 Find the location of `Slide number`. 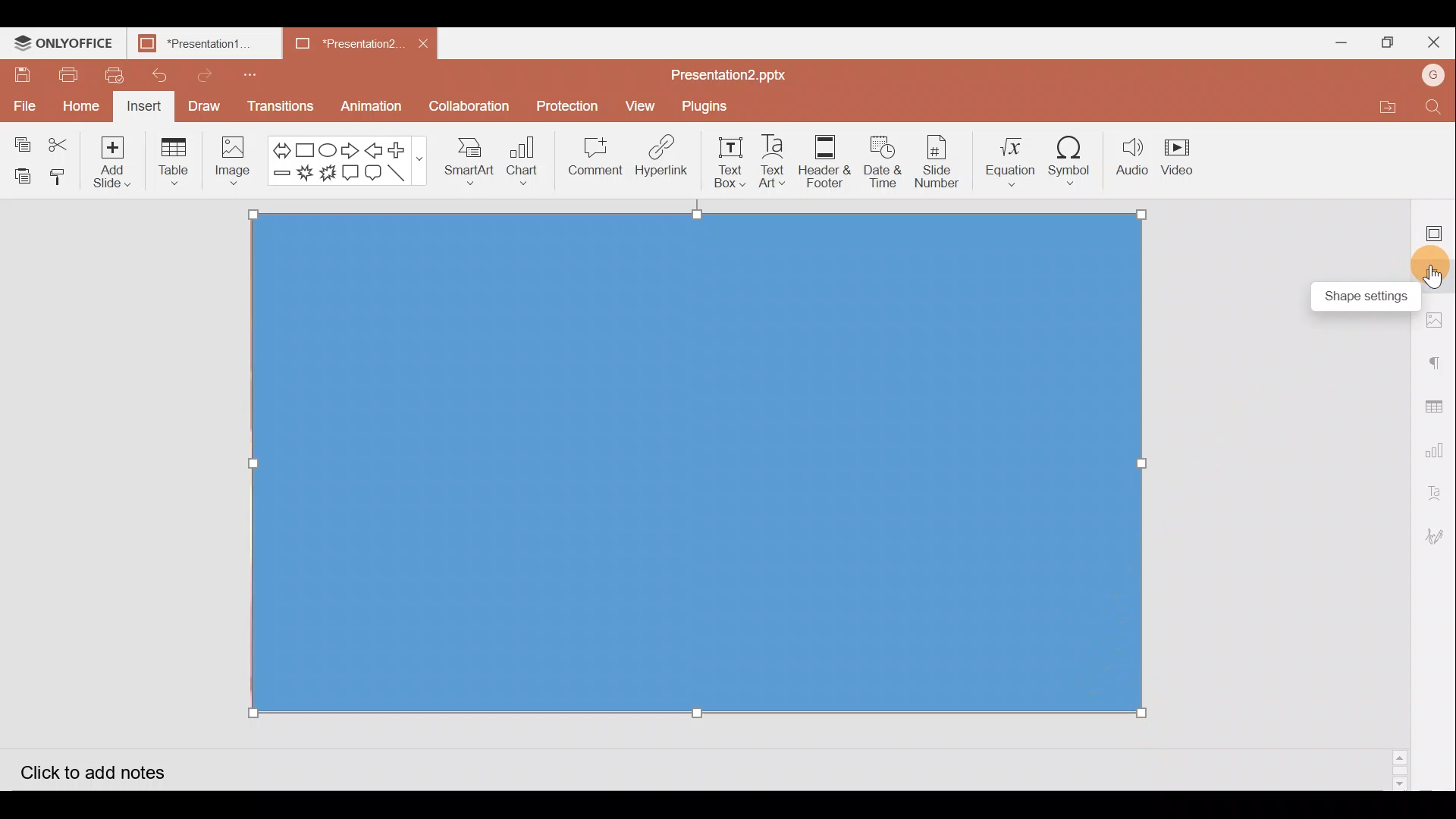

Slide number is located at coordinates (942, 160).